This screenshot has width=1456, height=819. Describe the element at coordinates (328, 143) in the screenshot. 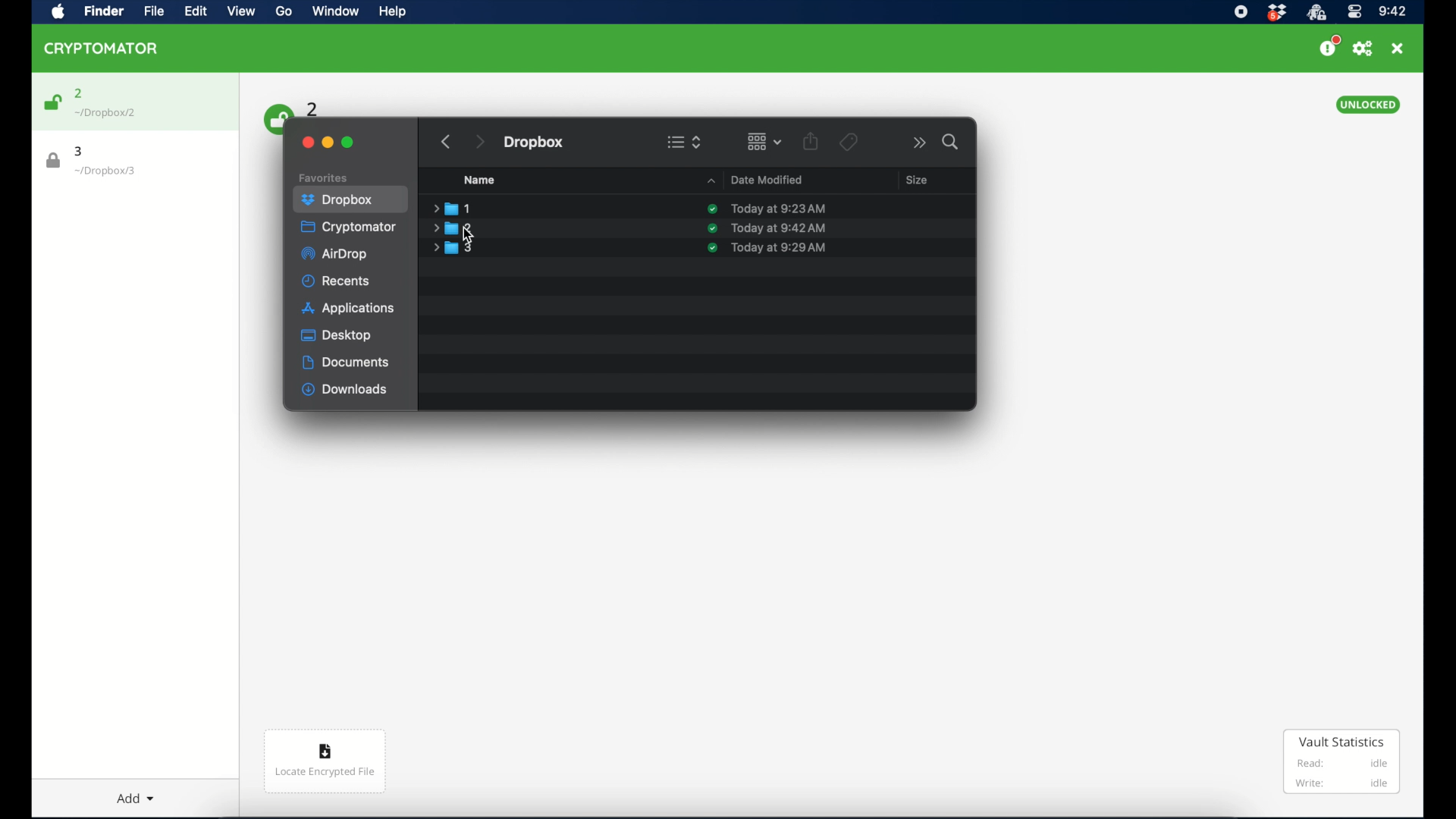

I see `minimize` at that location.